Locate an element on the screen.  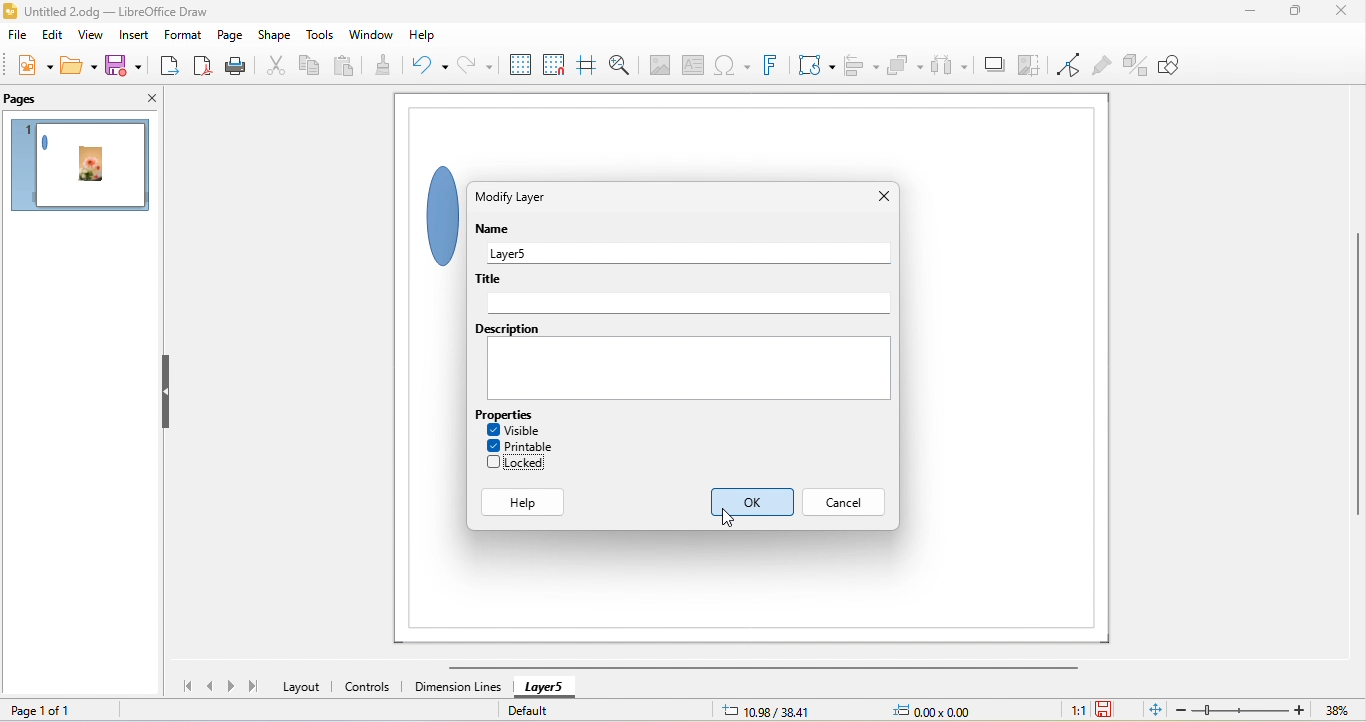
helpline while moving is located at coordinates (586, 64).